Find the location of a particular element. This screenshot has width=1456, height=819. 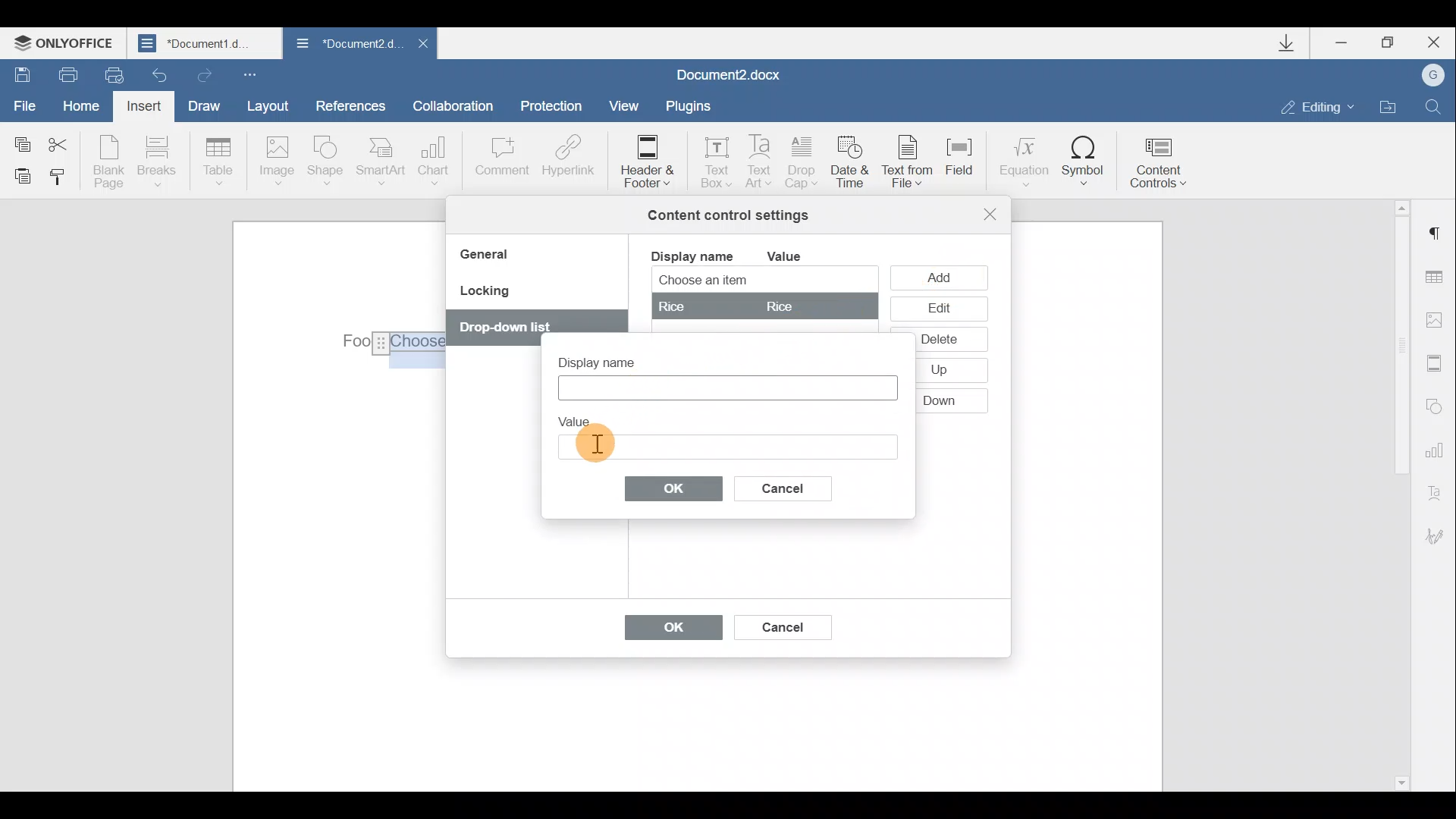

Copy style is located at coordinates (59, 180).